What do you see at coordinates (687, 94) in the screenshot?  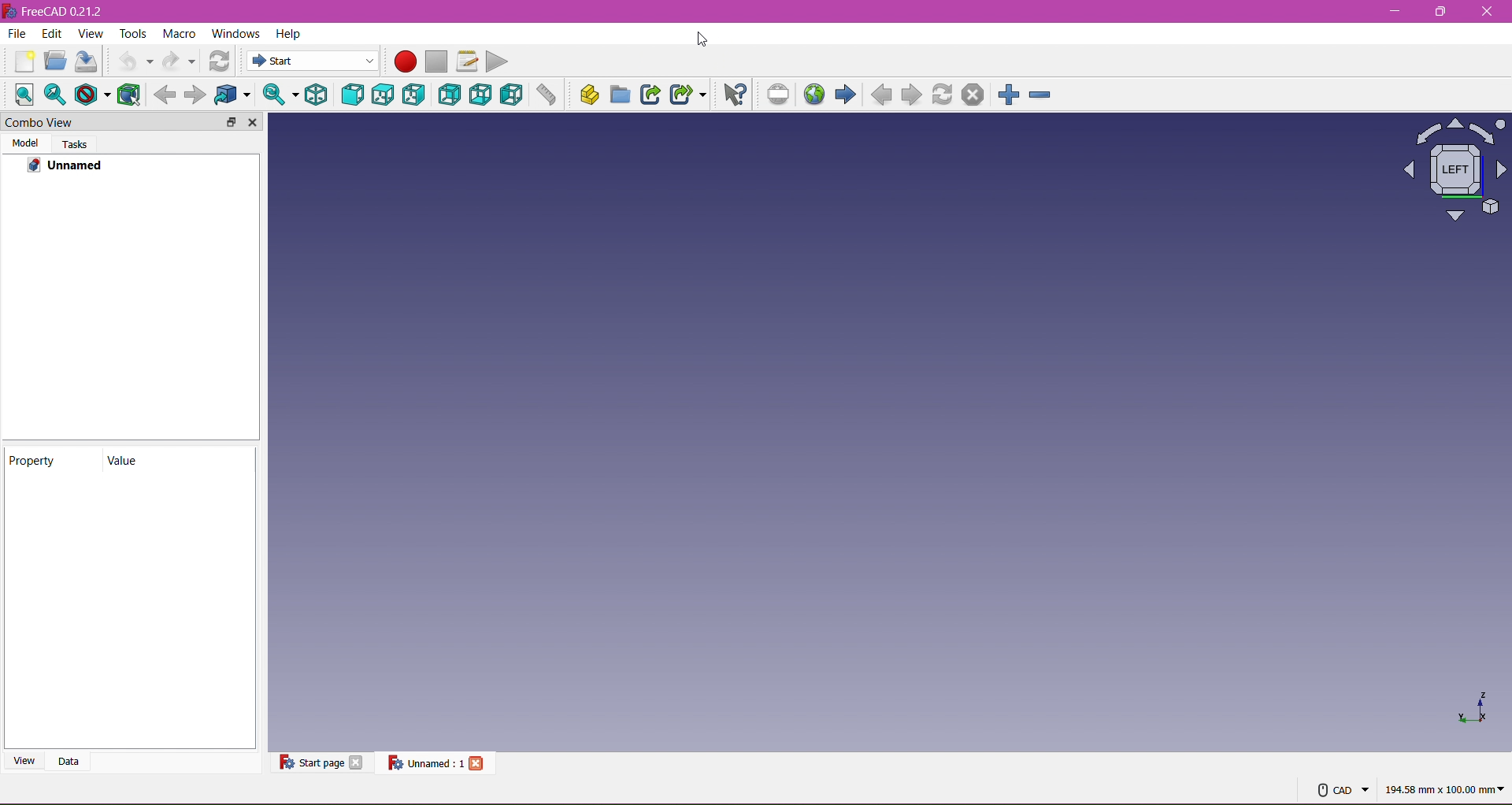 I see `Make Sub link` at bounding box center [687, 94].